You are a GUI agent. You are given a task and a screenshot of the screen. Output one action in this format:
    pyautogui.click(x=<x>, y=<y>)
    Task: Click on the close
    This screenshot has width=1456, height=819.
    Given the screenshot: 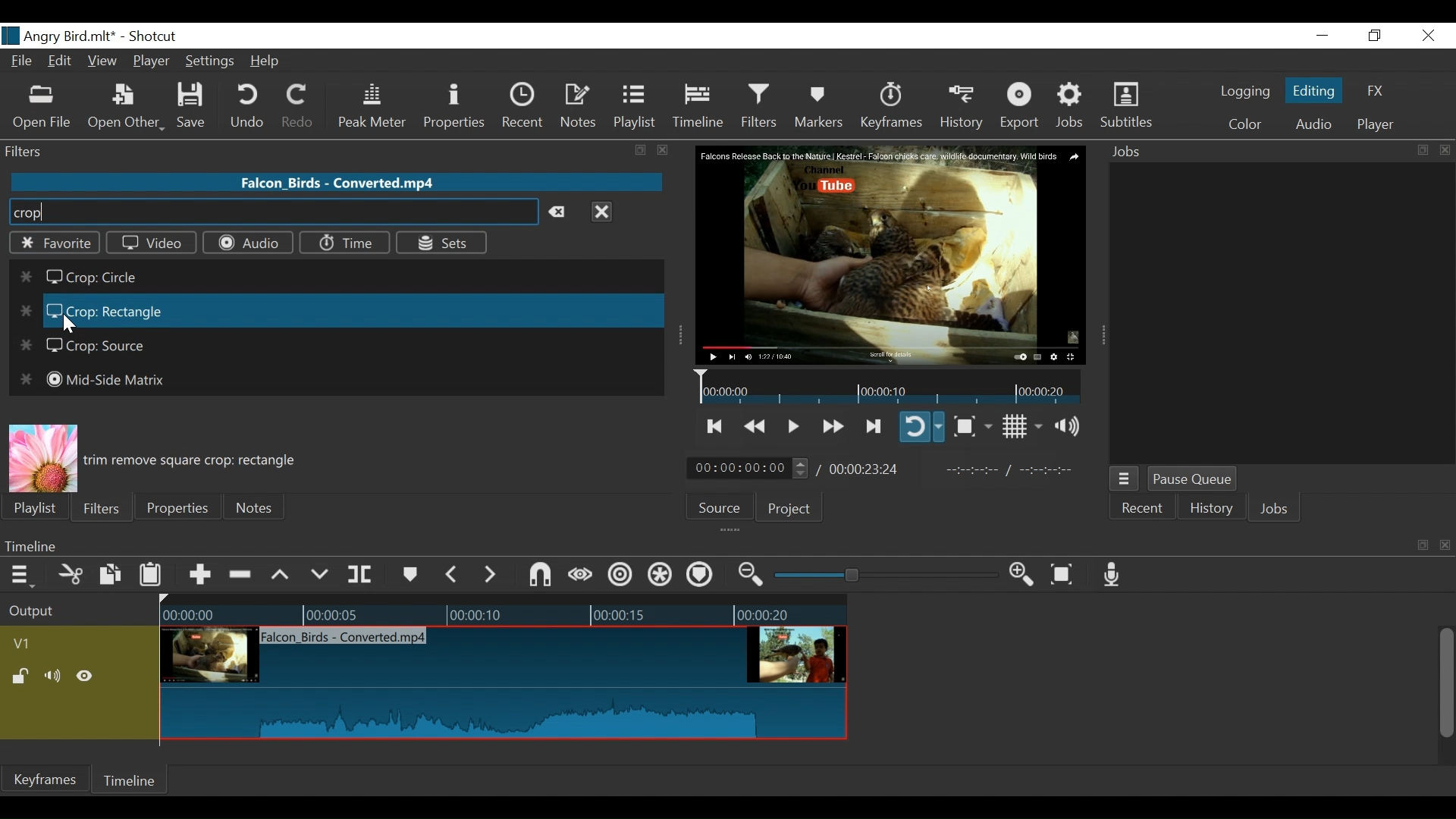 What is the action you would take?
    pyautogui.click(x=664, y=150)
    